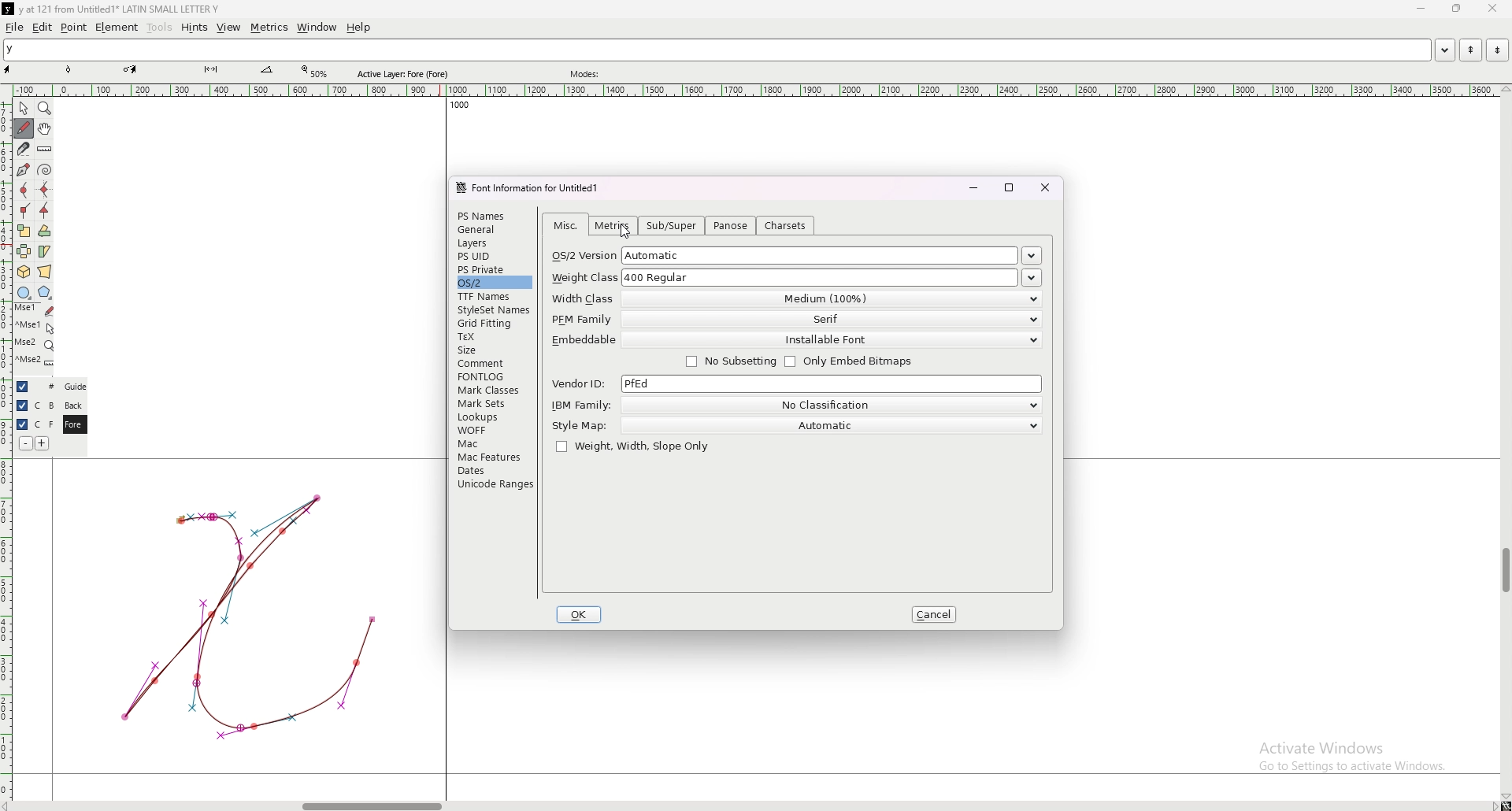 This screenshot has height=811, width=1512. Describe the element at coordinates (795, 425) in the screenshot. I see `style map automatic` at that location.